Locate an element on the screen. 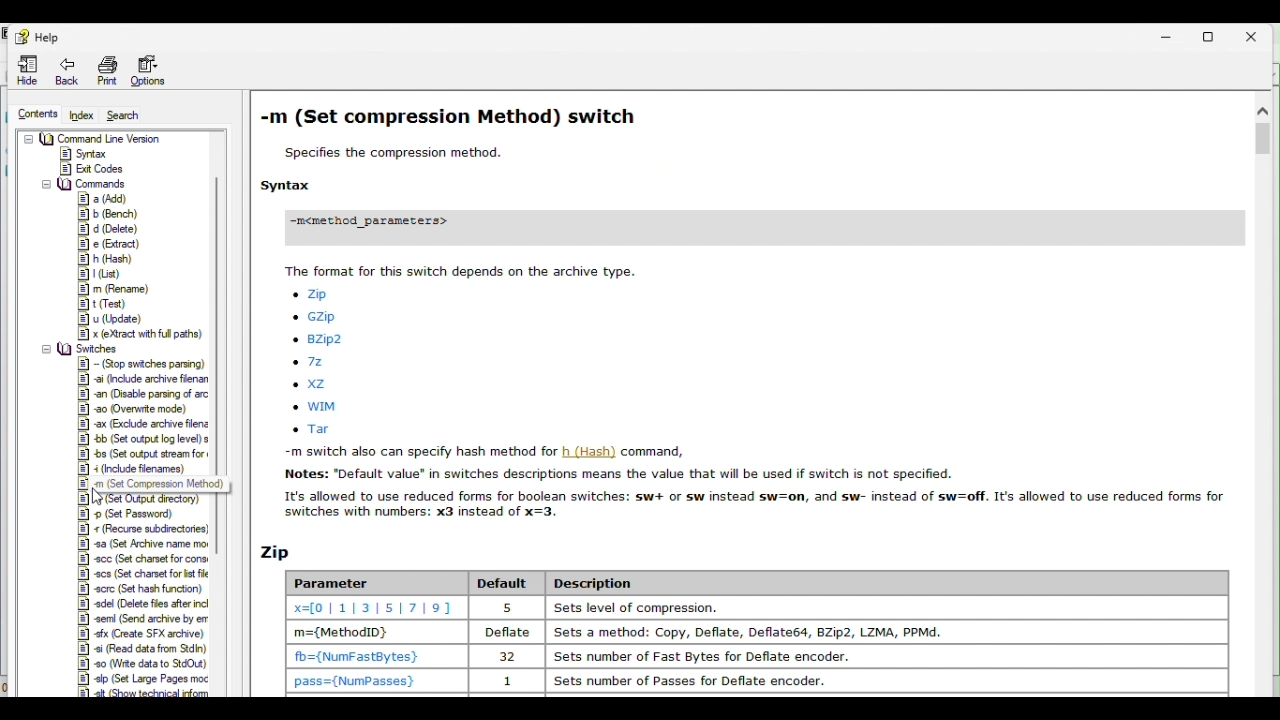 This screenshot has width=1280, height=720. Hide is located at coordinates (29, 70).